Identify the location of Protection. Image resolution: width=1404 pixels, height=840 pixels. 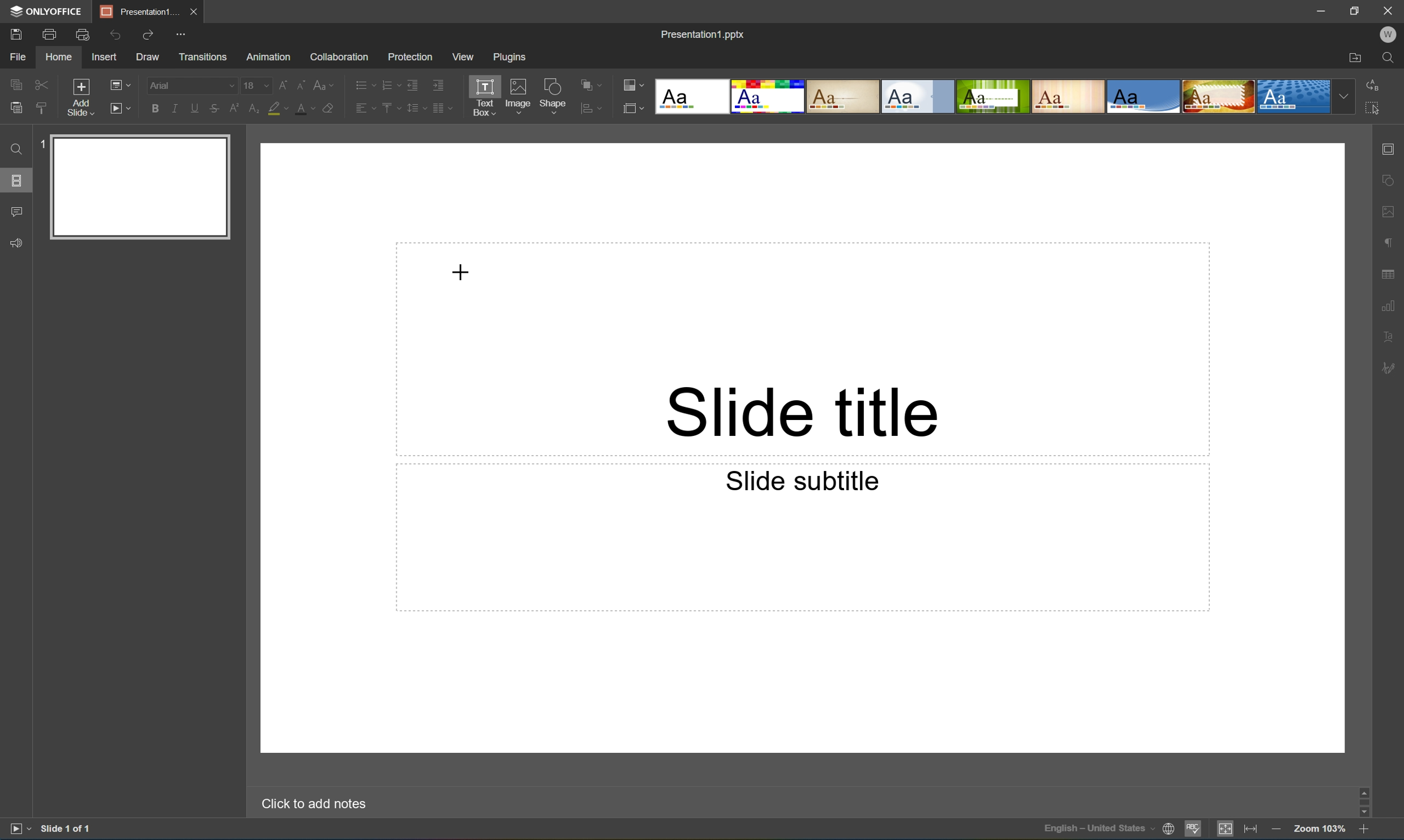
(409, 56).